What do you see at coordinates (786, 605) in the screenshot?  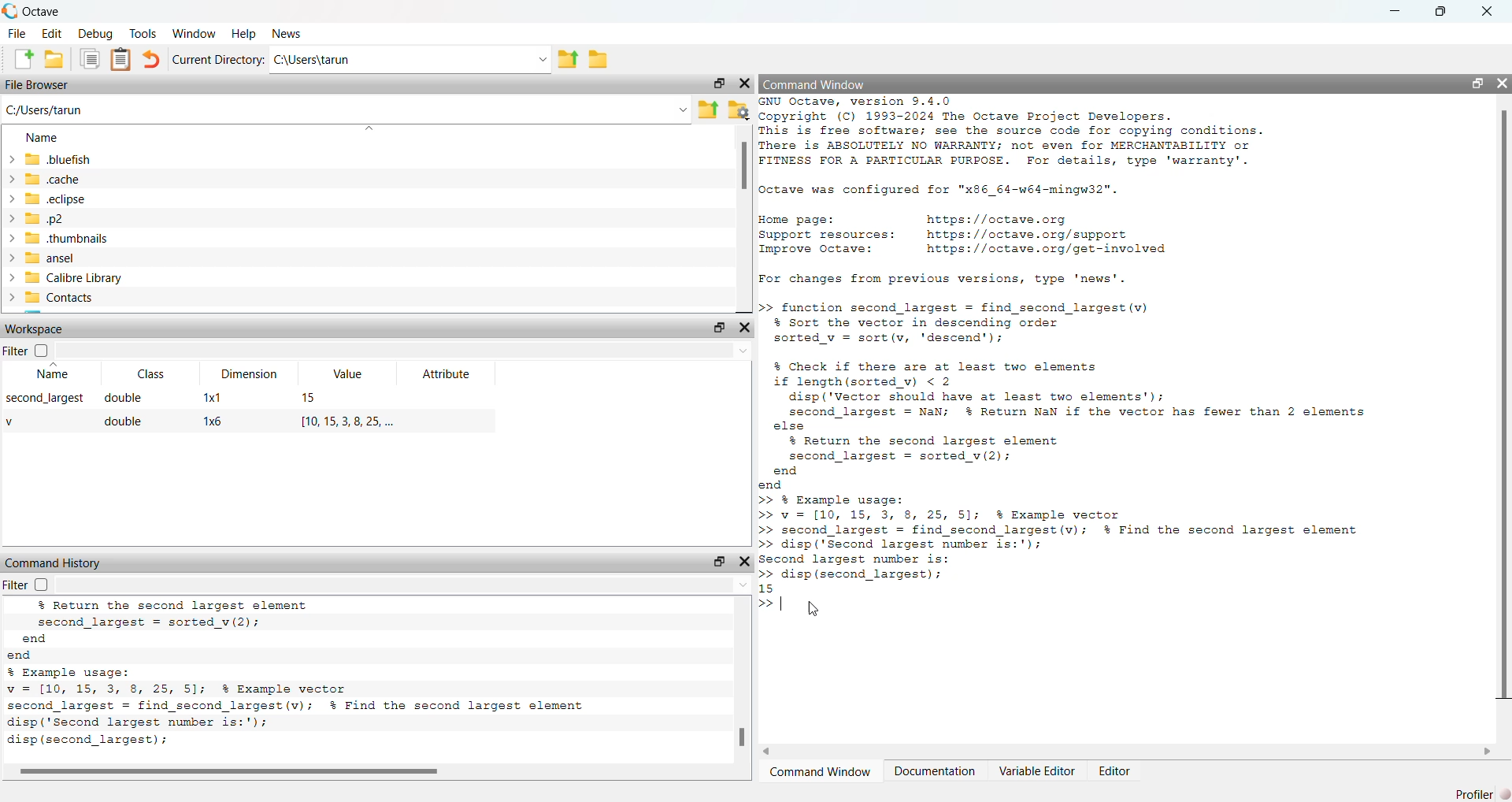 I see `typing cursor` at bounding box center [786, 605].